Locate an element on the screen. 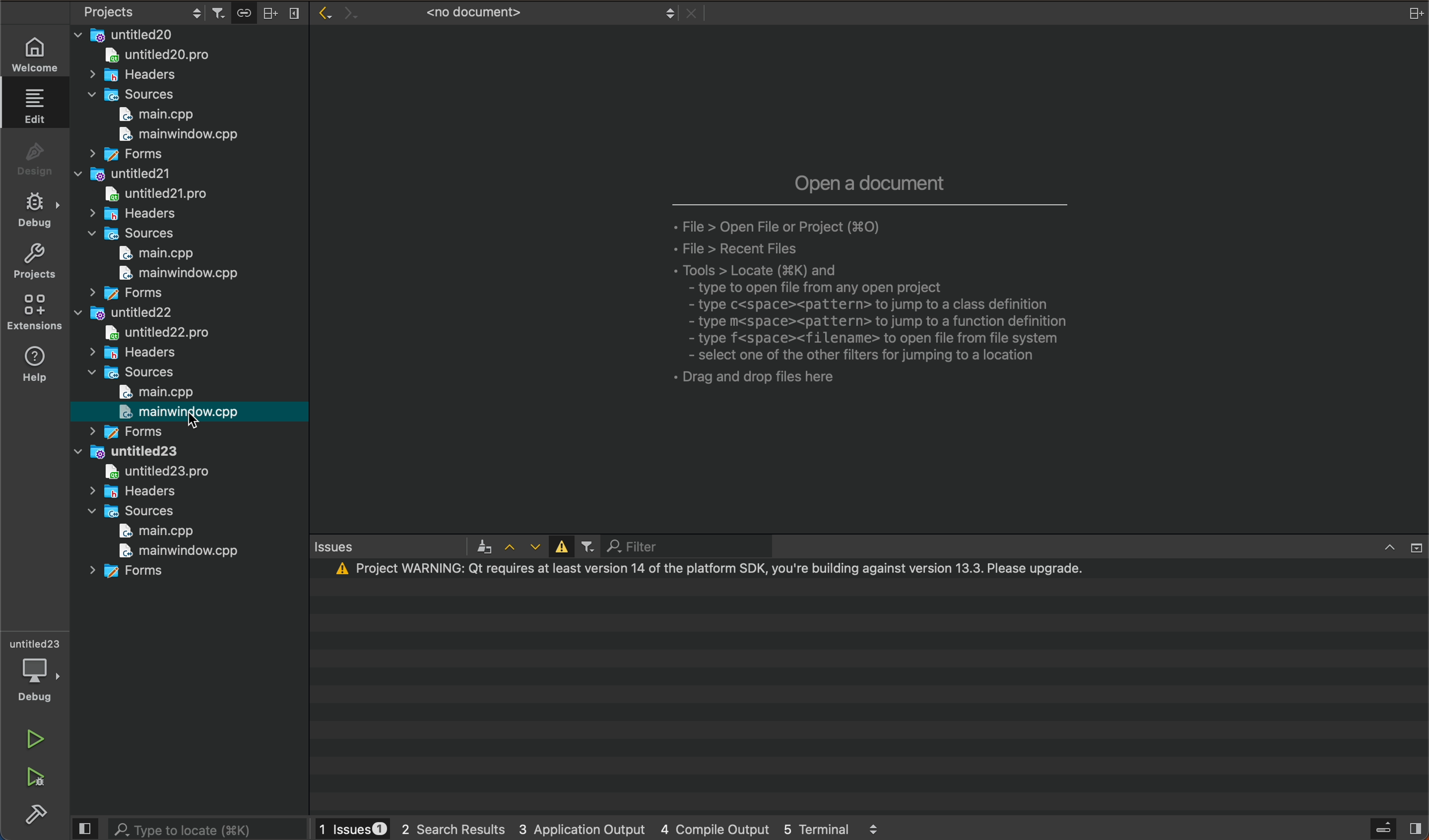 The width and height of the screenshot is (1429, 840). forms is located at coordinates (129, 431).